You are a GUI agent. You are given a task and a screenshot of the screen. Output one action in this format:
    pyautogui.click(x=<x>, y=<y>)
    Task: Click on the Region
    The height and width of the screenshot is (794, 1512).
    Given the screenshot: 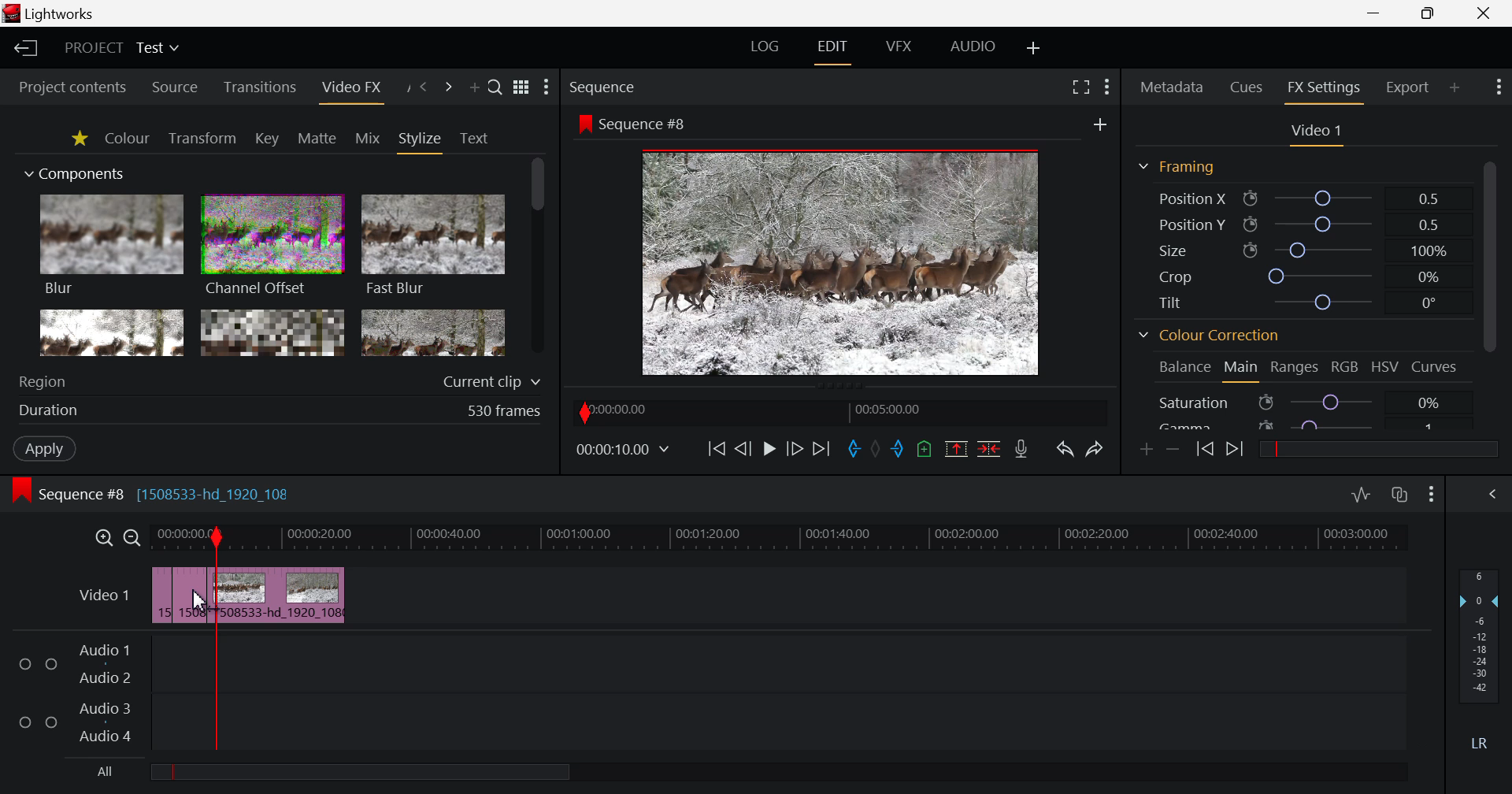 What is the action you would take?
    pyautogui.click(x=280, y=380)
    